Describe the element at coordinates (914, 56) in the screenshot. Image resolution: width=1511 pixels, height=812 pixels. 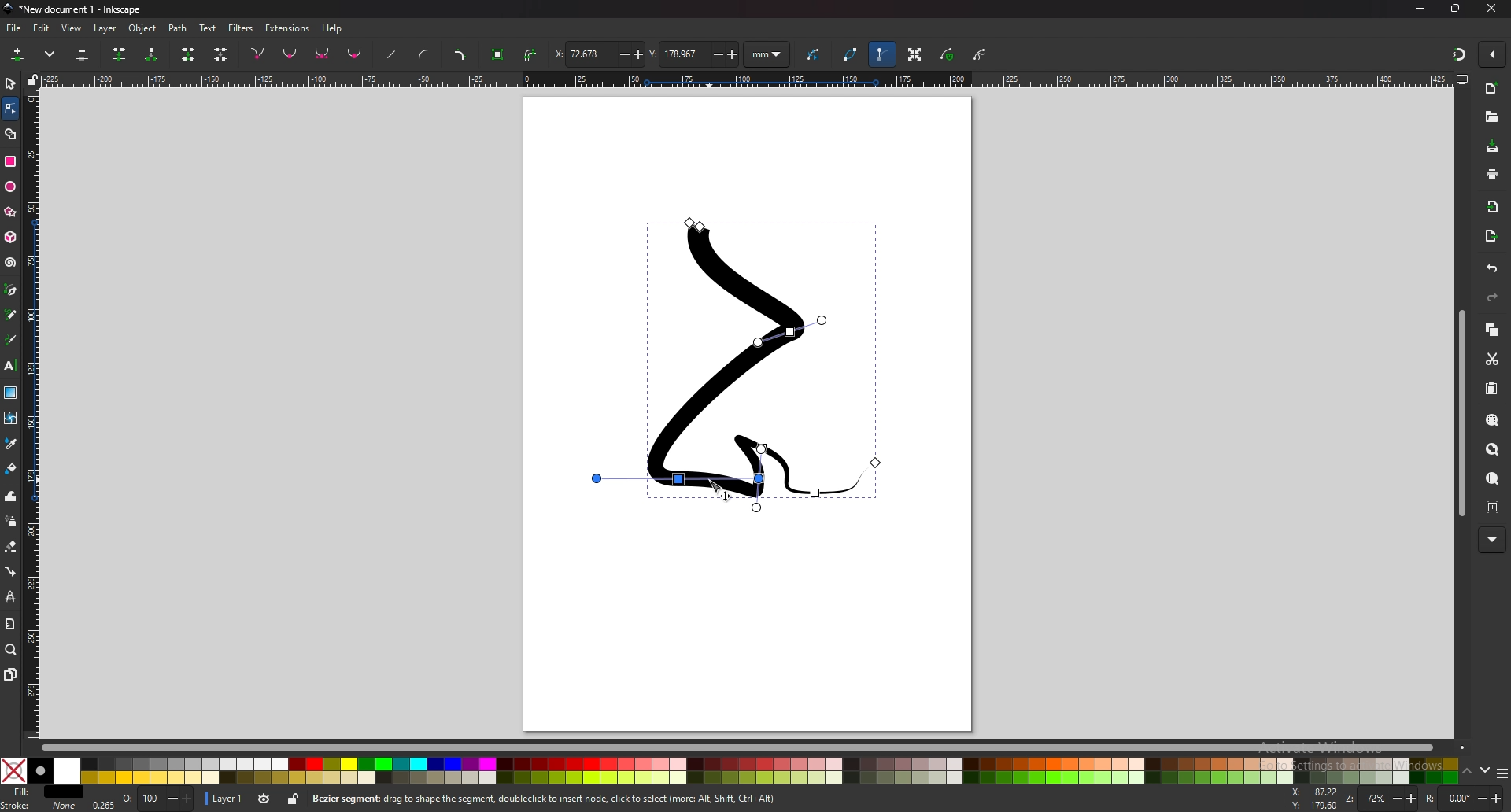
I see `transformation handle` at that location.